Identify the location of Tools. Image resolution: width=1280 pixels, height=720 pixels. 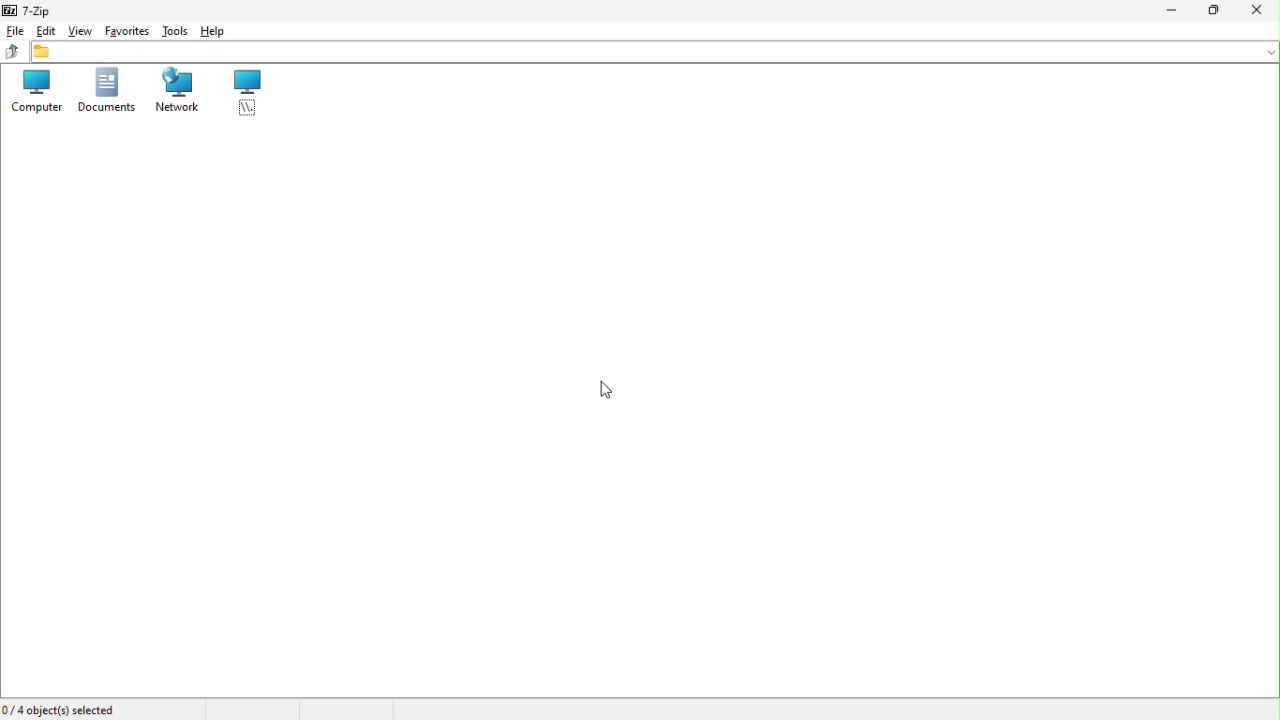
(175, 29).